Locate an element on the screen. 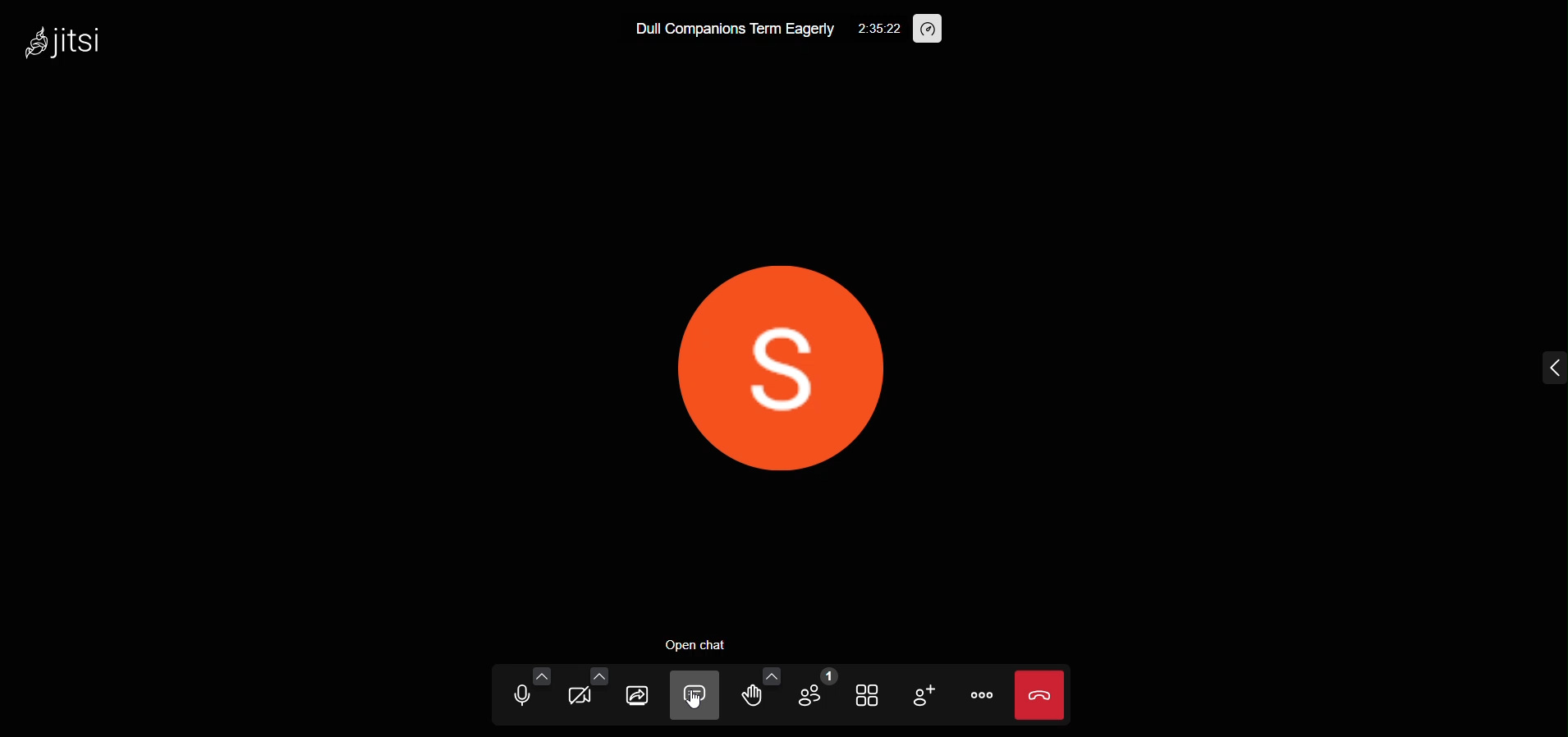 The image size is (1568, 737). participants is located at coordinates (815, 690).